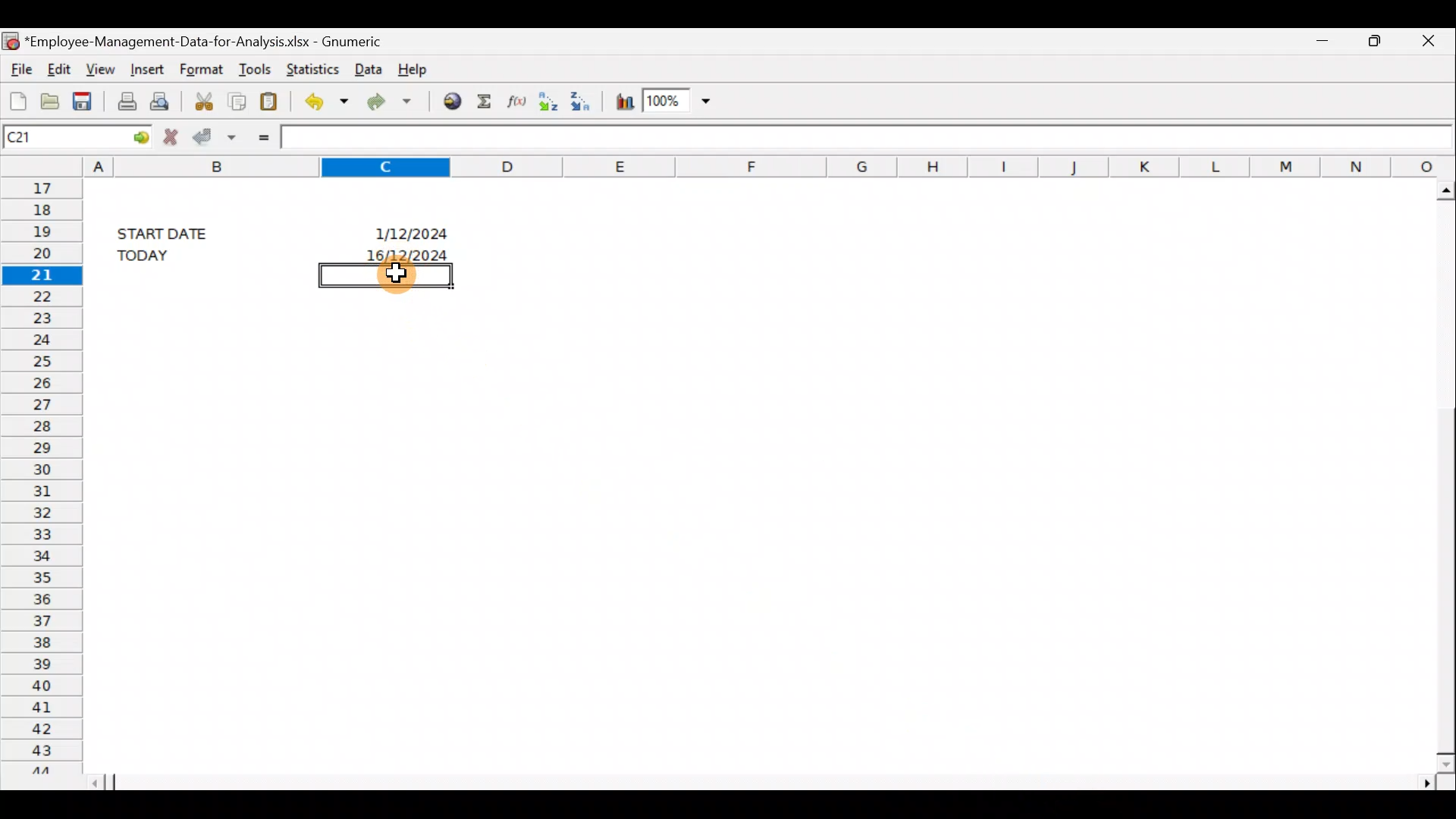 The width and height of the screenshot is (1456, 819). What do you see at coordinates (623, 99) in the screenshot?
I see `Insert a chart` at bounding box center [623, 99].